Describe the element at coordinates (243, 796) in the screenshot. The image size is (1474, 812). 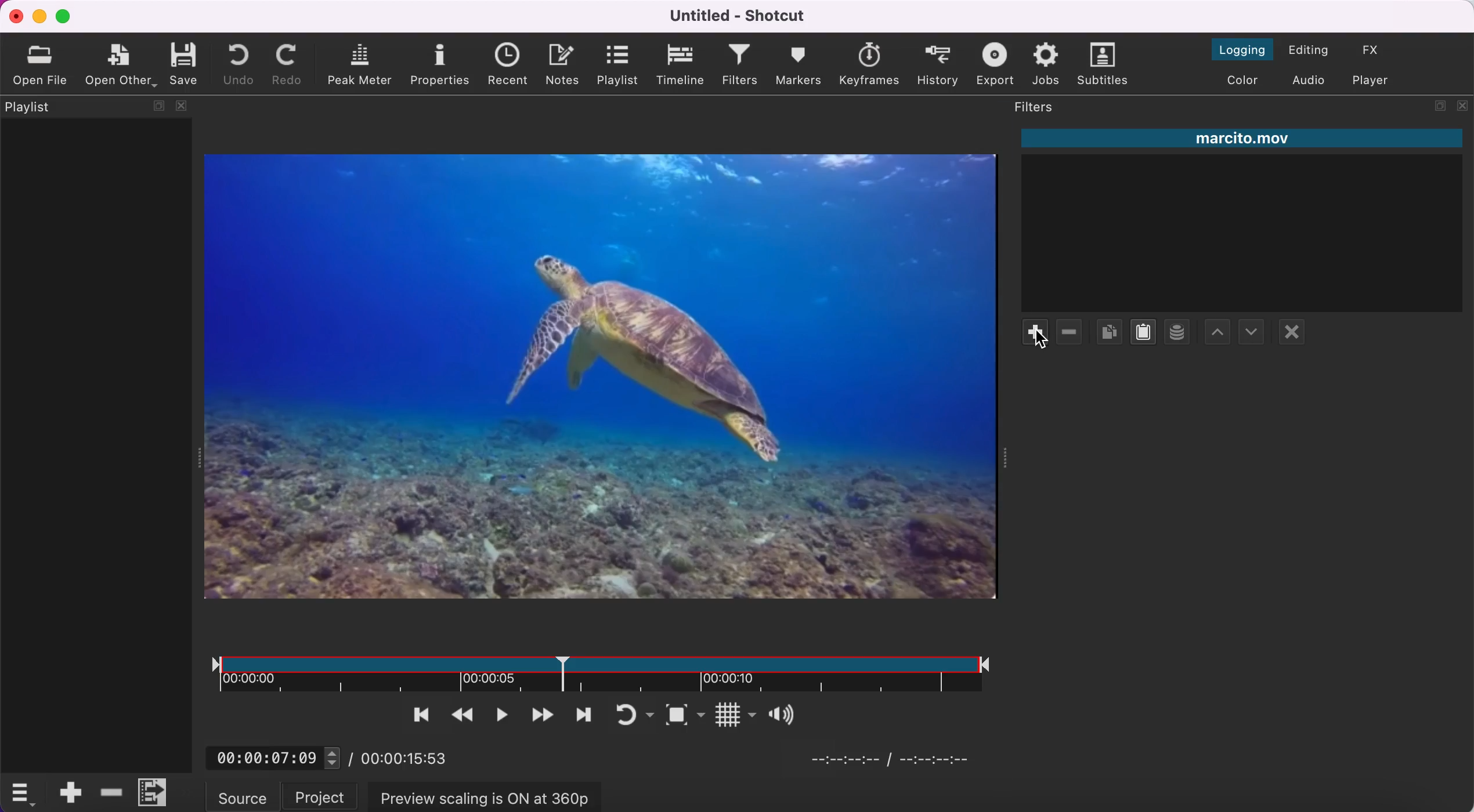
I see `source` at that location.